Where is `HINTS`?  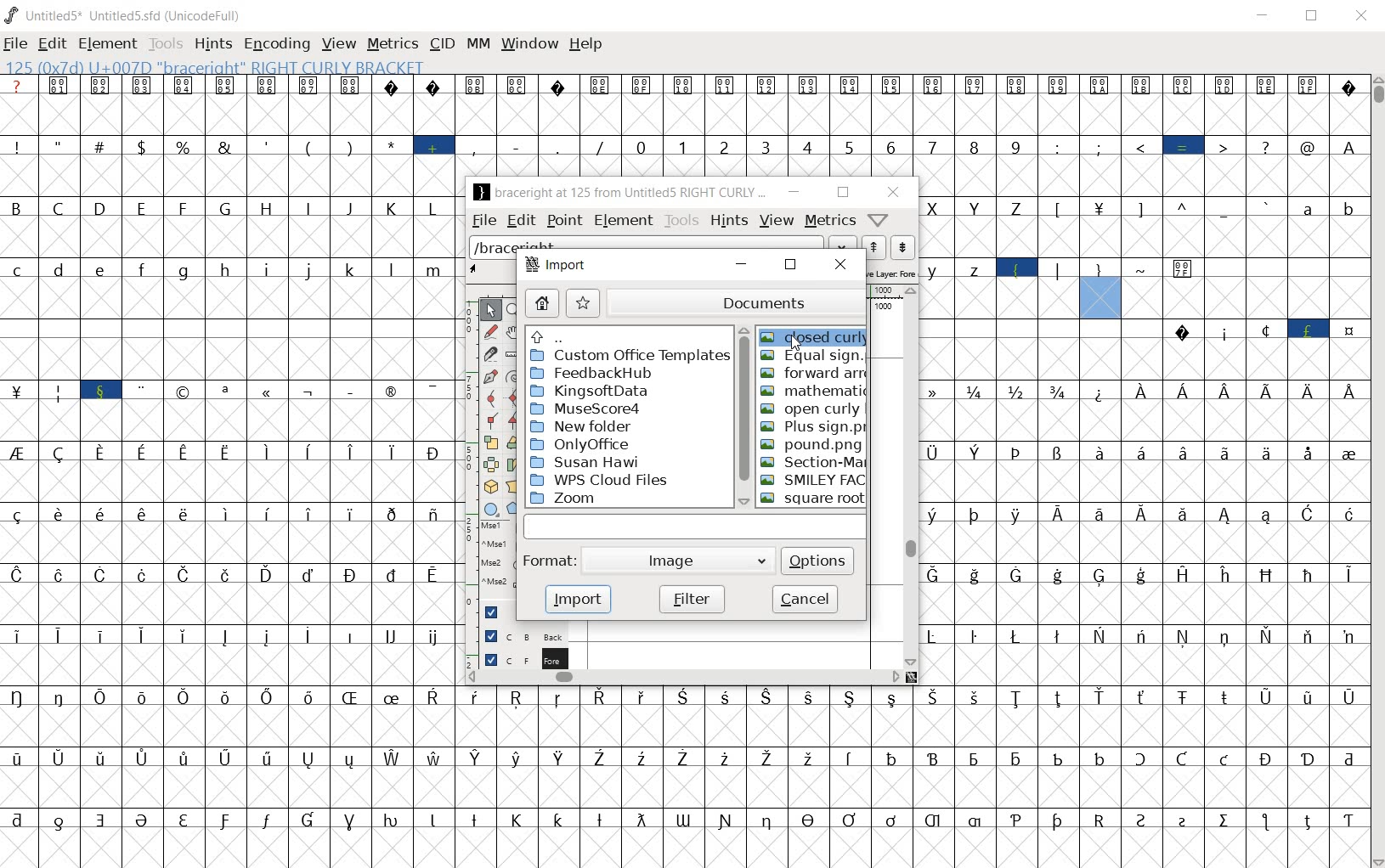
HINTS is located at coordinates (212, 45).